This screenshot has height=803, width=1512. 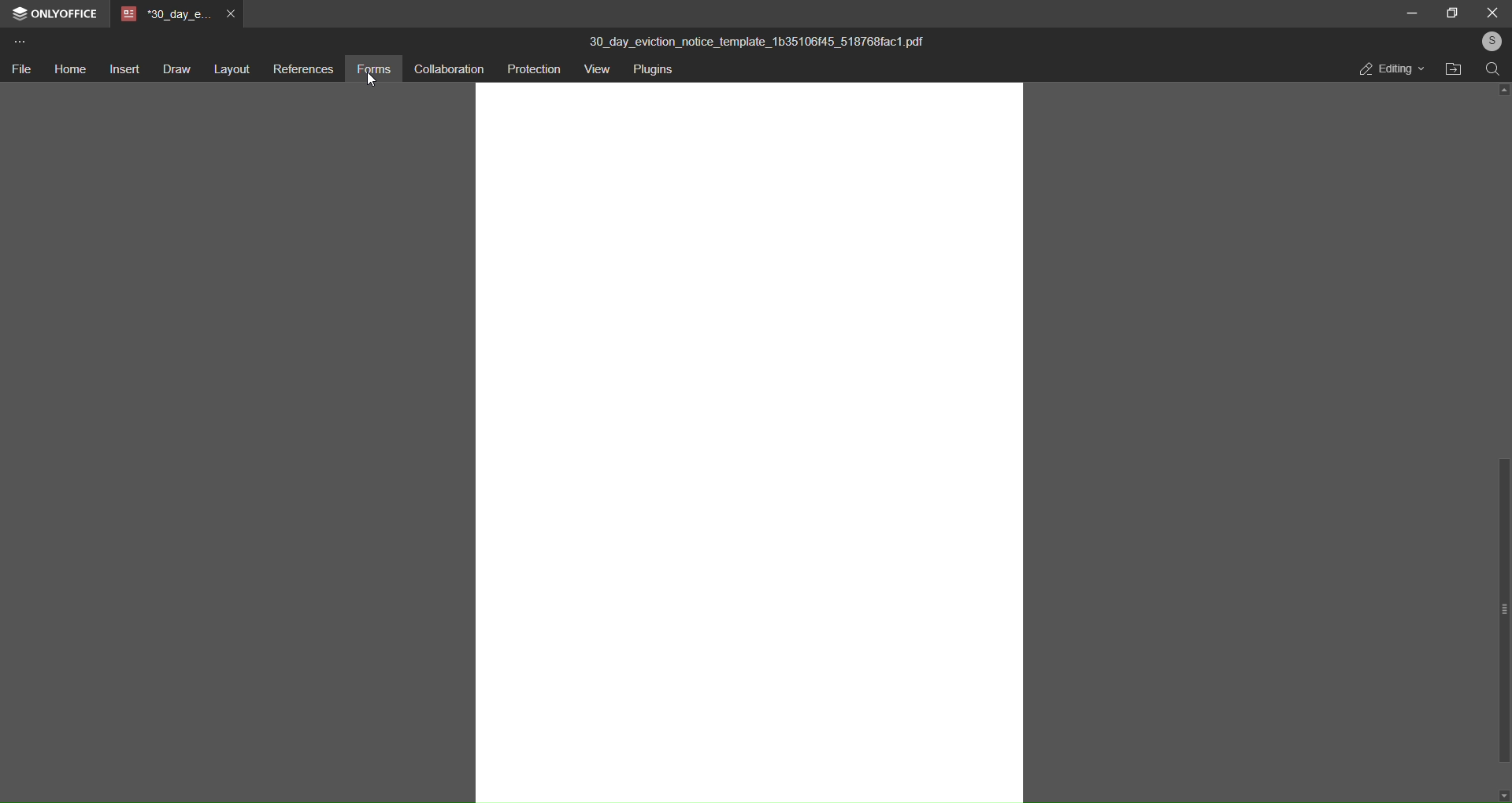 What do you see at coordinates (17, 40) in the screenshot?
I see `more` at bounding box center [17, 40].